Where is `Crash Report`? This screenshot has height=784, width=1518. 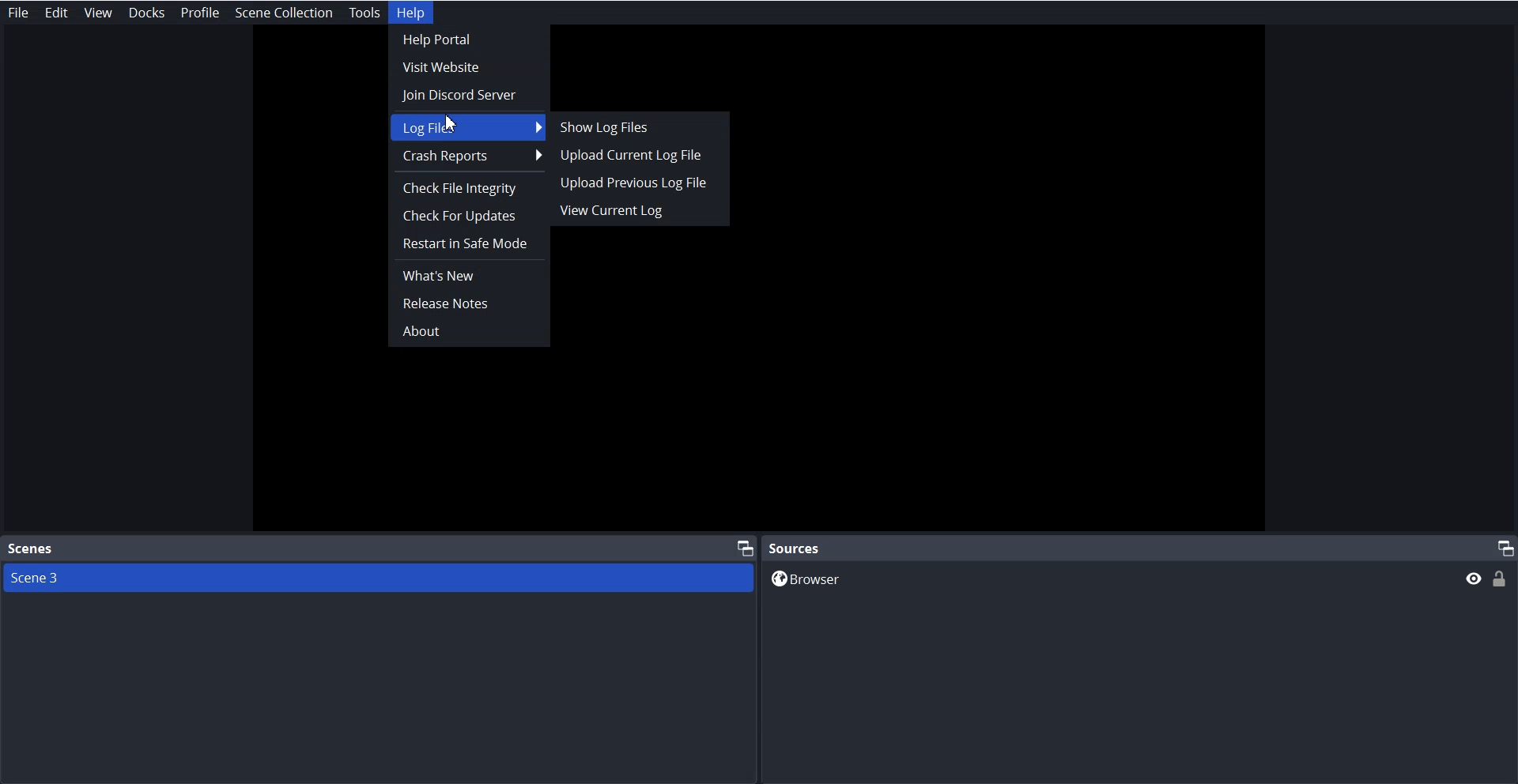
Crash Report is located at coordinates (469, 156).